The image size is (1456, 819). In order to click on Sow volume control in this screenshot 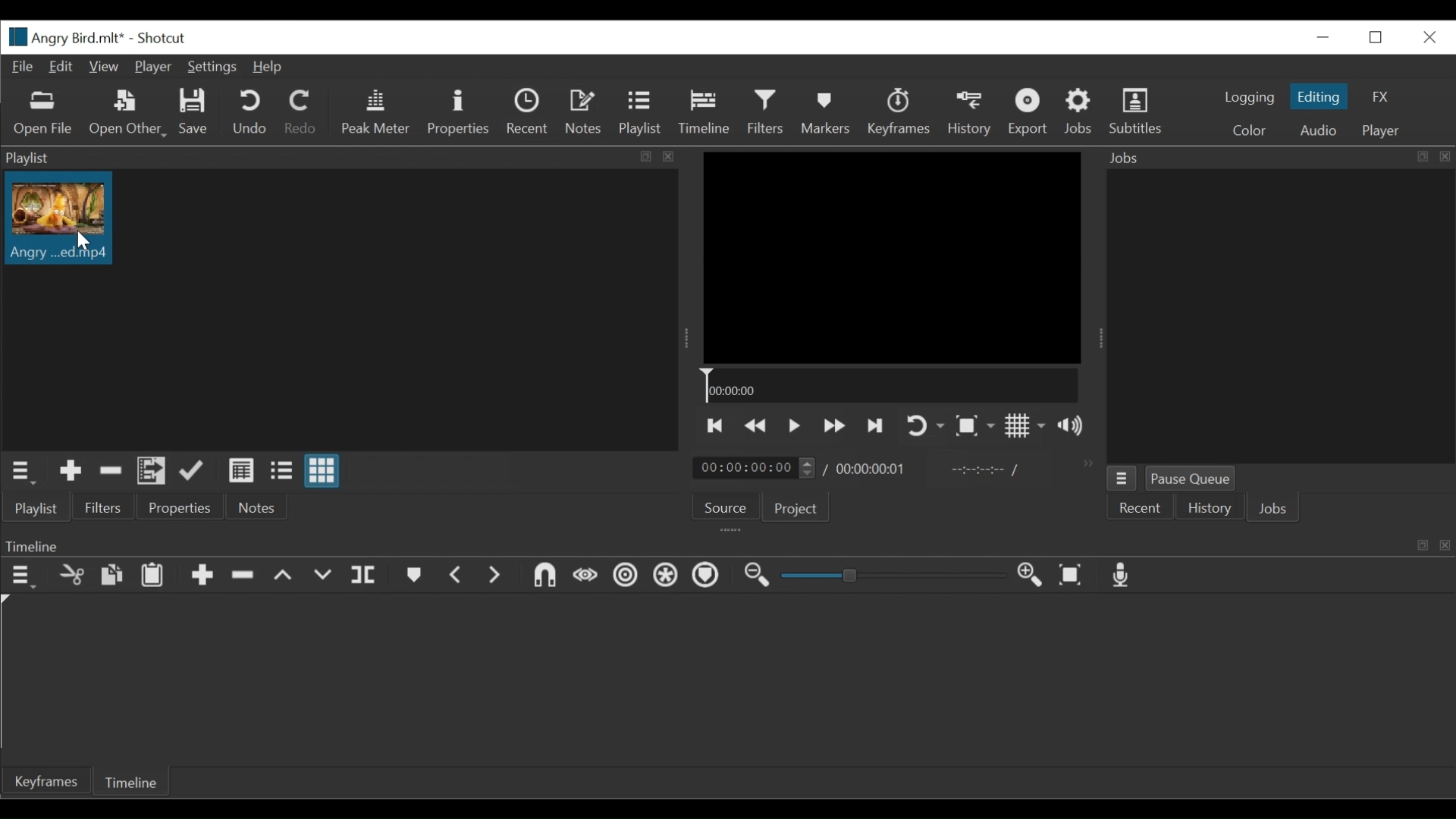, I will do `click(1070, 425)`.